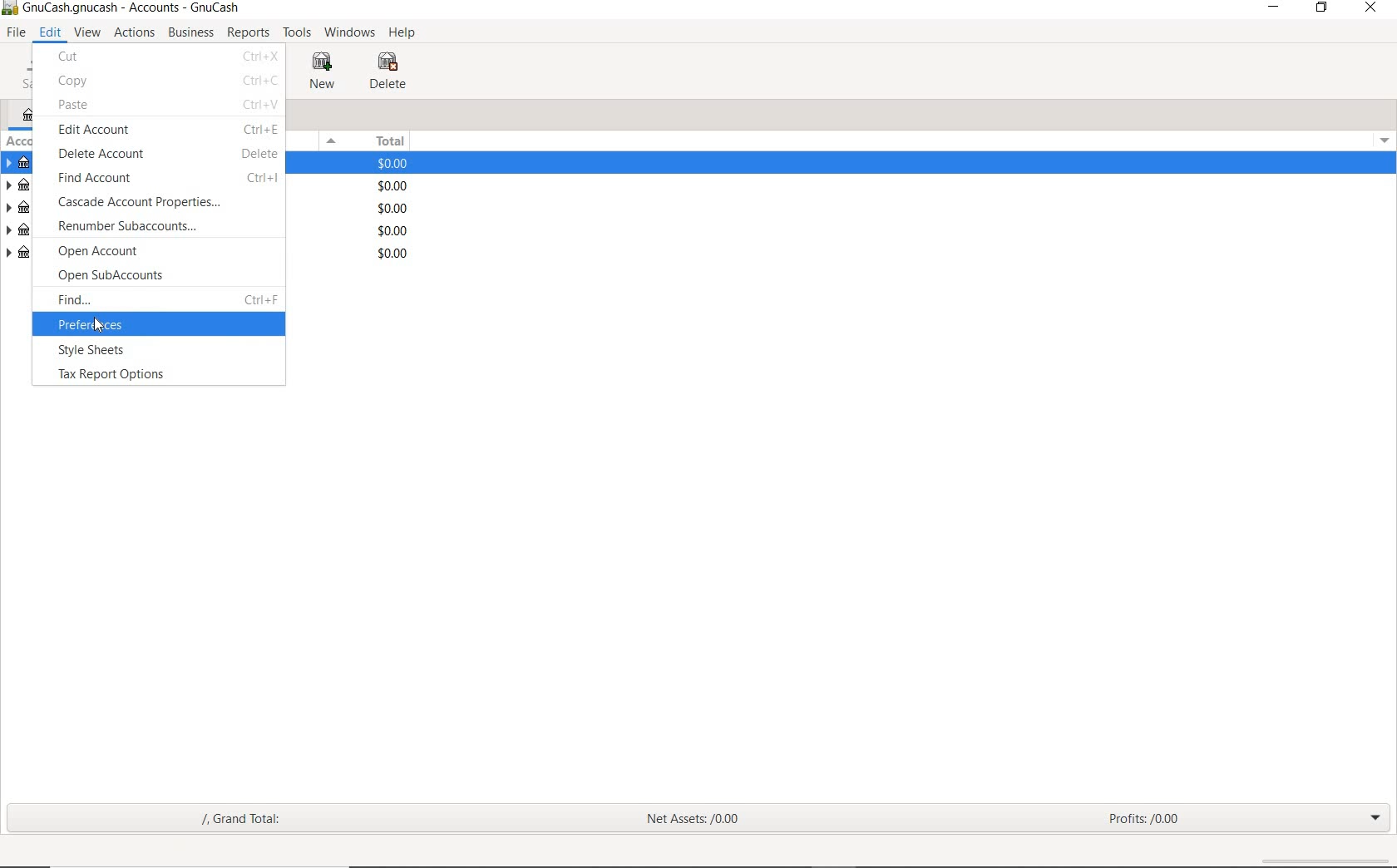  Describe the element at coordinates (347, 32) in the screenshot. I see `WINDOWS` at that location.